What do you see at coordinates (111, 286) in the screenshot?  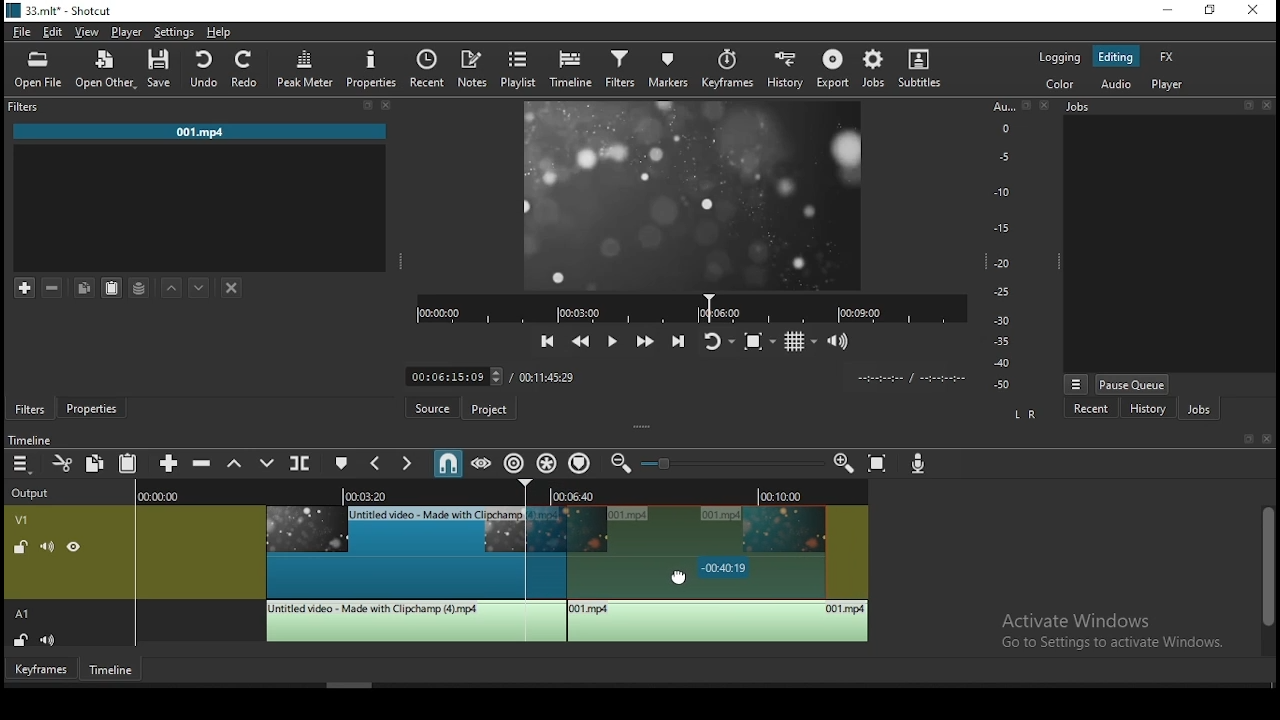 I see `paste filter` at bounding box center [111, 286].